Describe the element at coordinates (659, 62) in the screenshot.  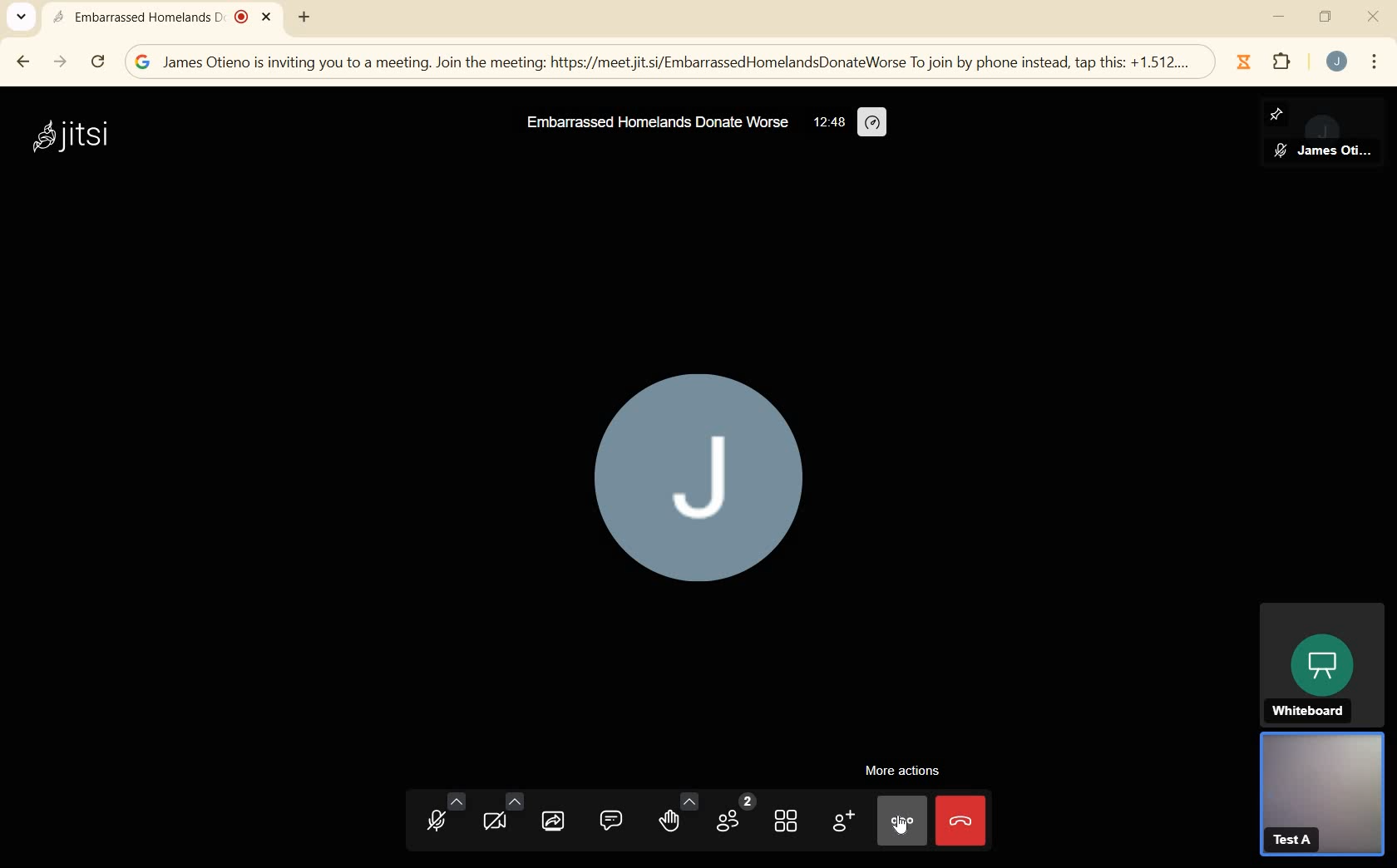
I see `; James Otieno is inviting you to a meeting. Join the meeting: https://meetiit.si/EmbarrassedHomelandsDonateWorse To join by phone instead, tap this: +1.512....` at that location.